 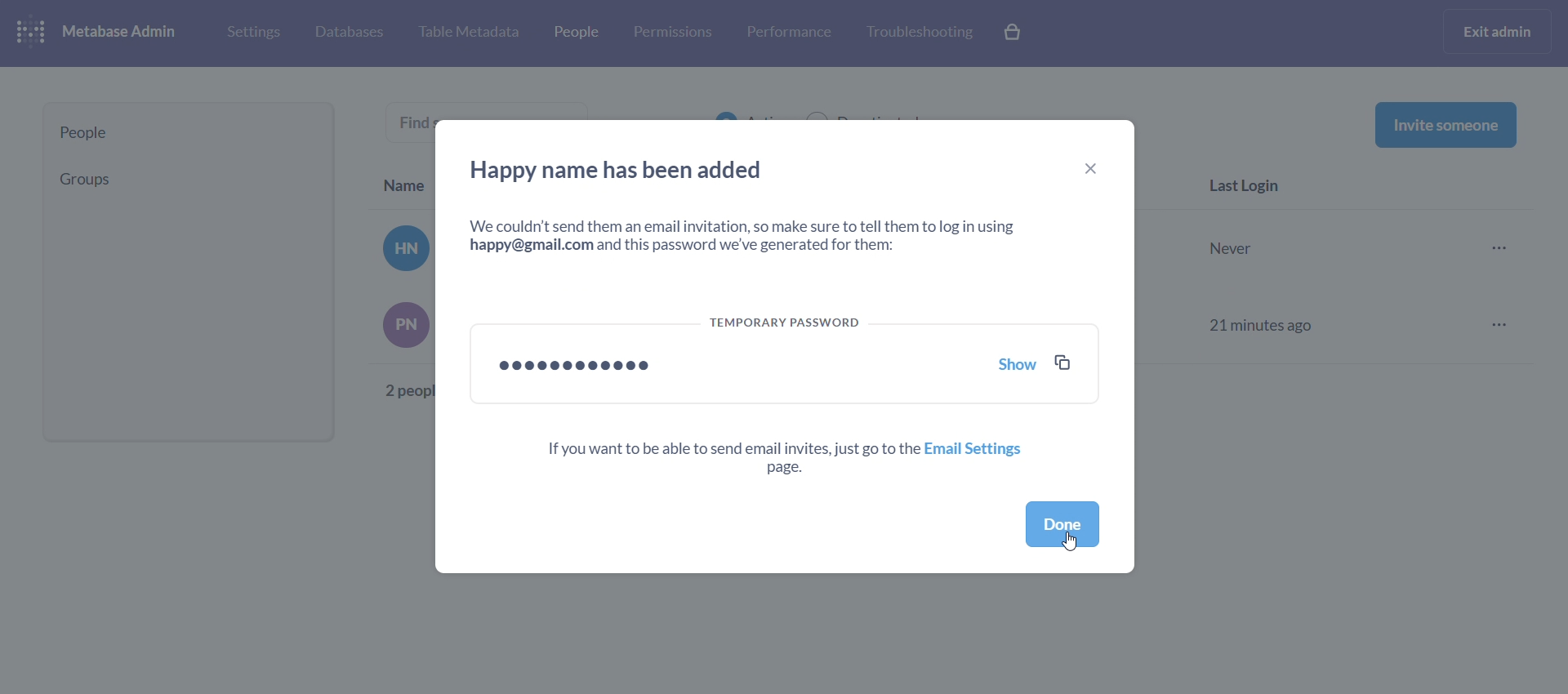 What do you see at coordinates (189, 133) in the screenshot?
I see `people` at bounding box center [189, 133].